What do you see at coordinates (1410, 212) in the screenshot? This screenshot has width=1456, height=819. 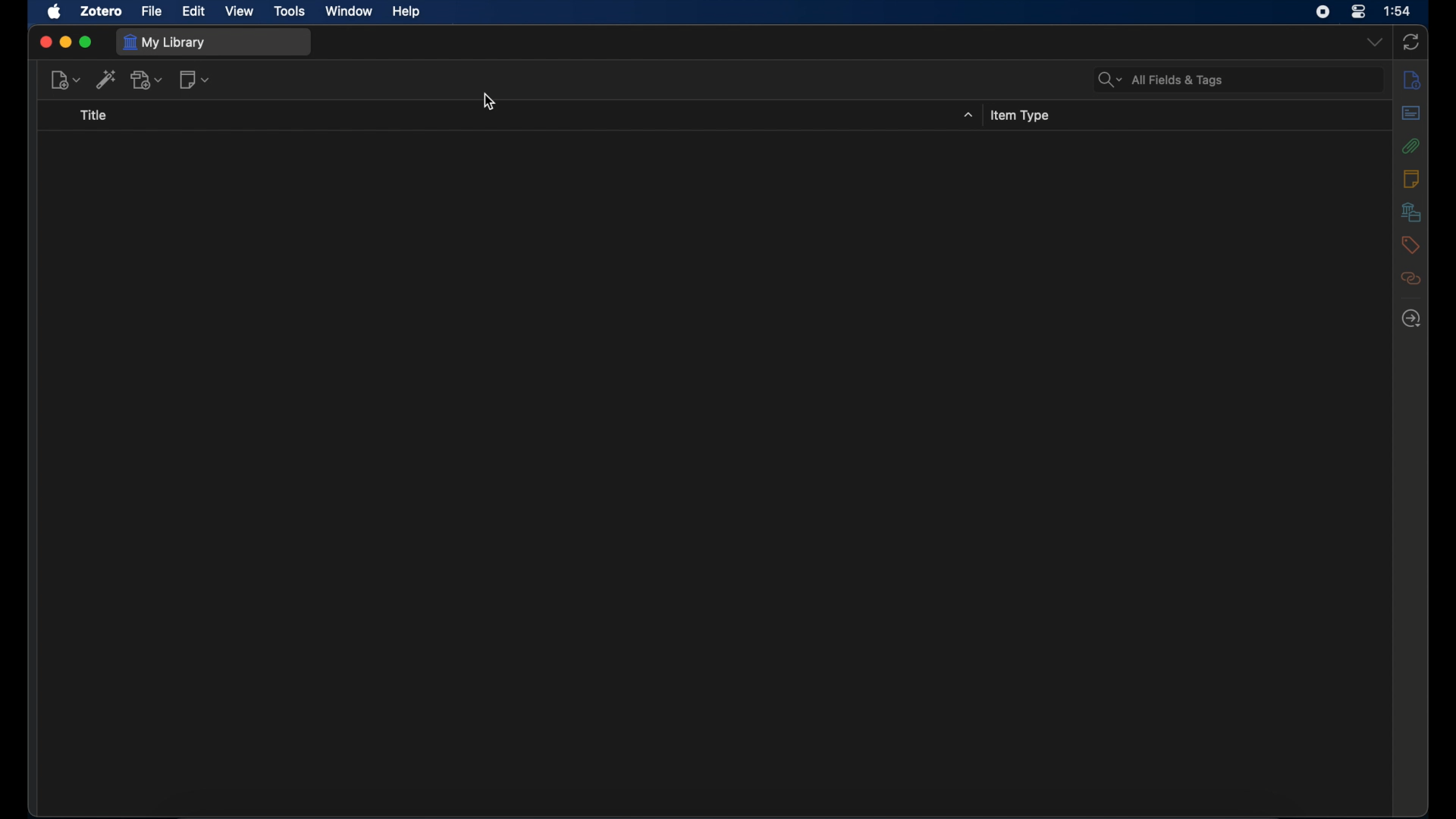 I see `libraries` at bounding box center [1410, 212].